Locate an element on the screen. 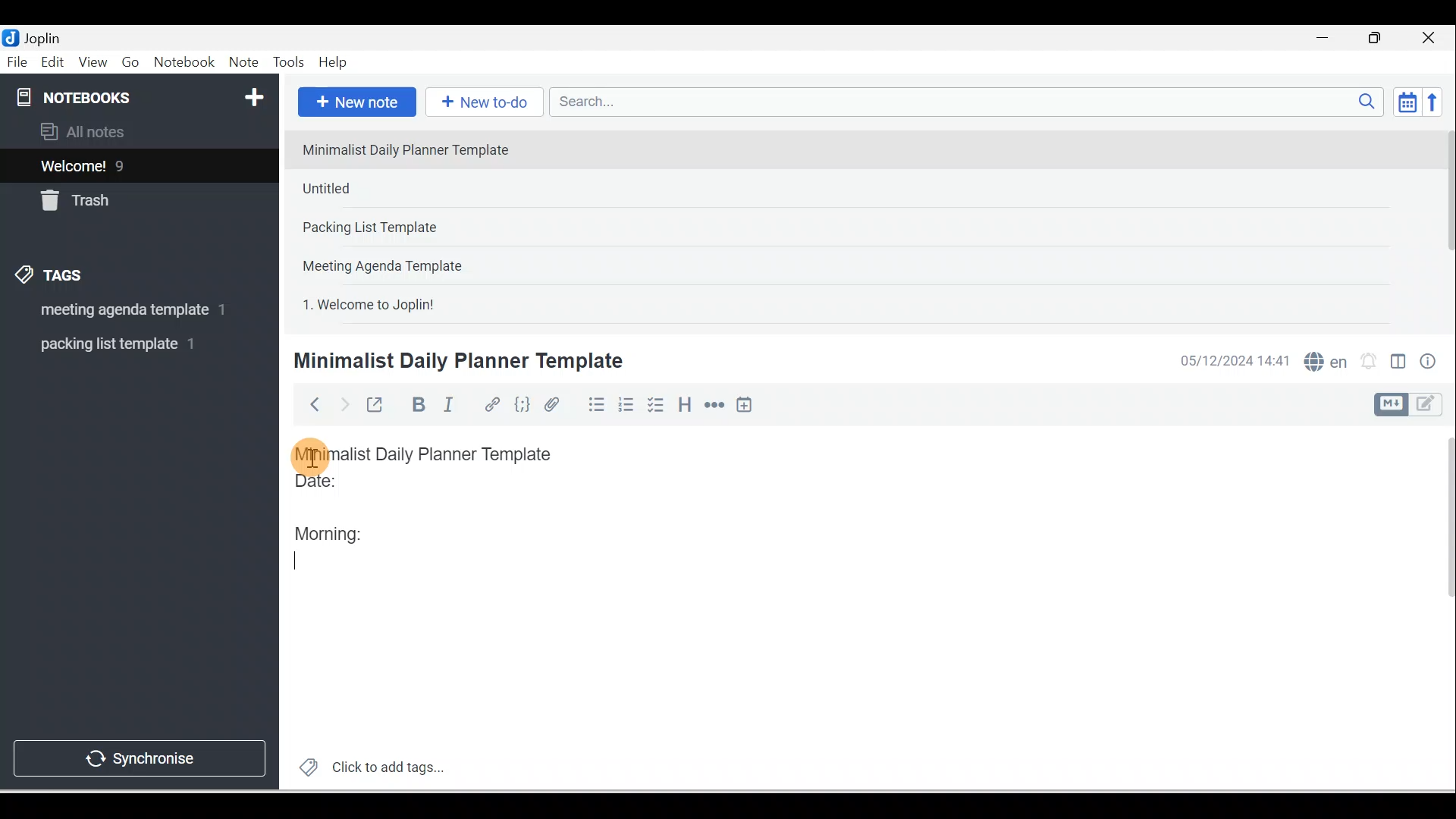 The width and height of the screenshot is (1456, 819). Bulleted list is located at coordinates (593, 404).